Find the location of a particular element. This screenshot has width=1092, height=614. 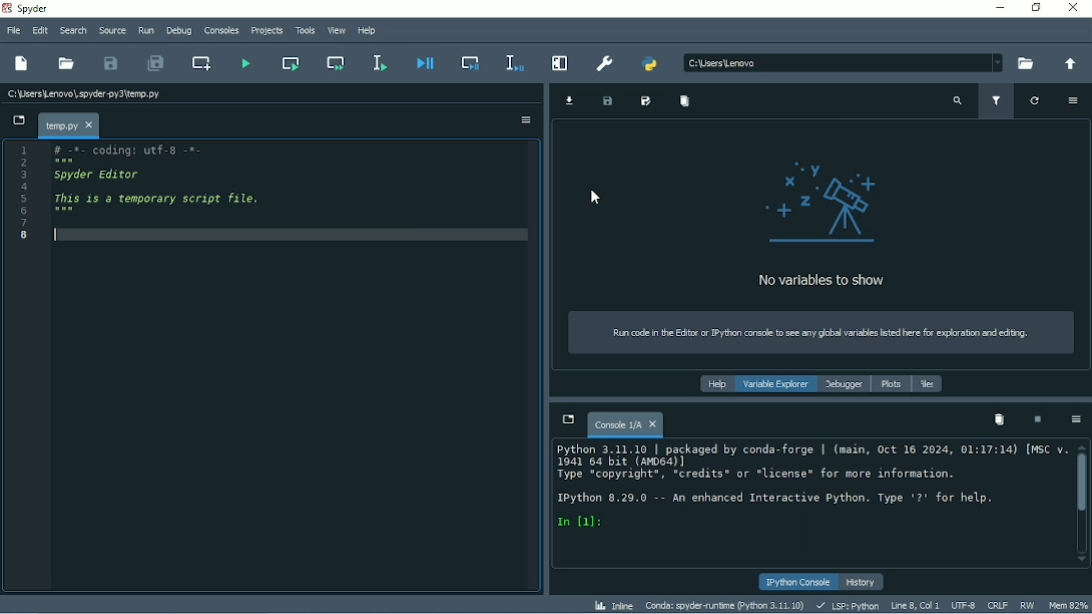

LSP is located at coordinates (846, 606).